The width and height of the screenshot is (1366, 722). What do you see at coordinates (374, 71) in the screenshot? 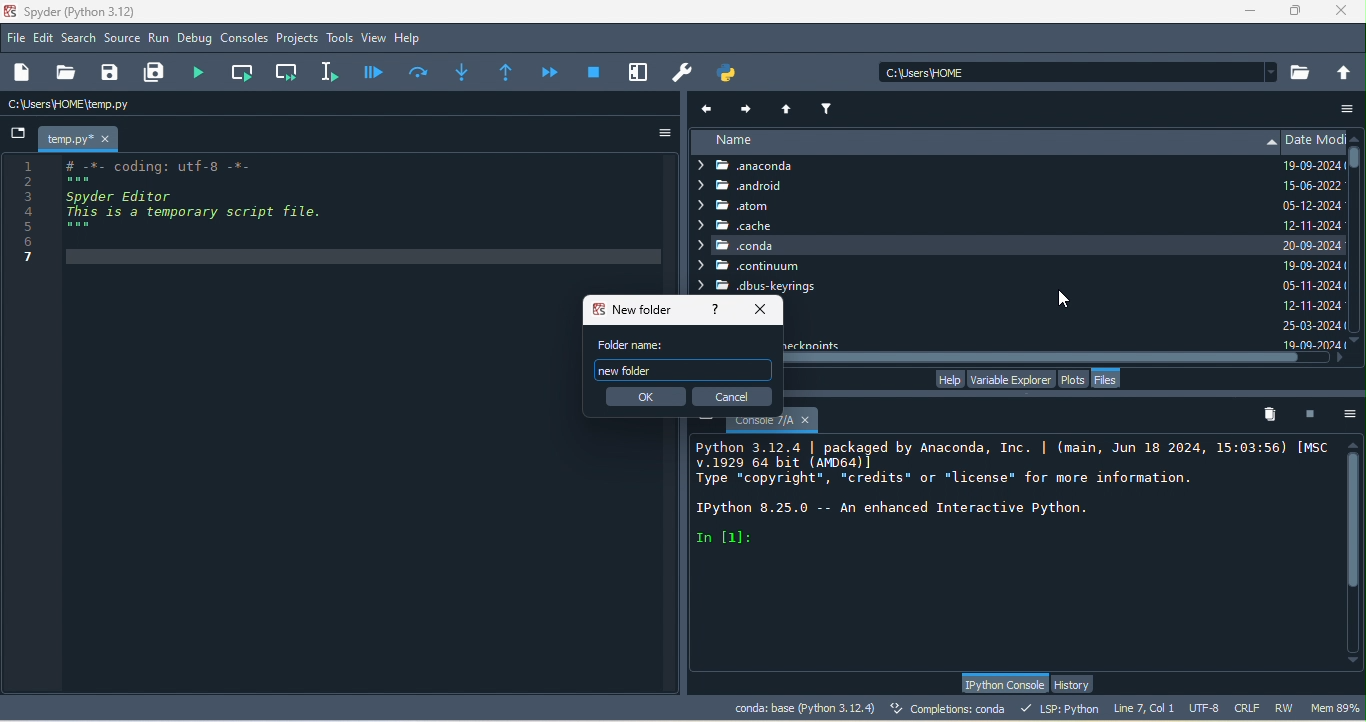
I see `debug file` at bounding box center [374, 71].